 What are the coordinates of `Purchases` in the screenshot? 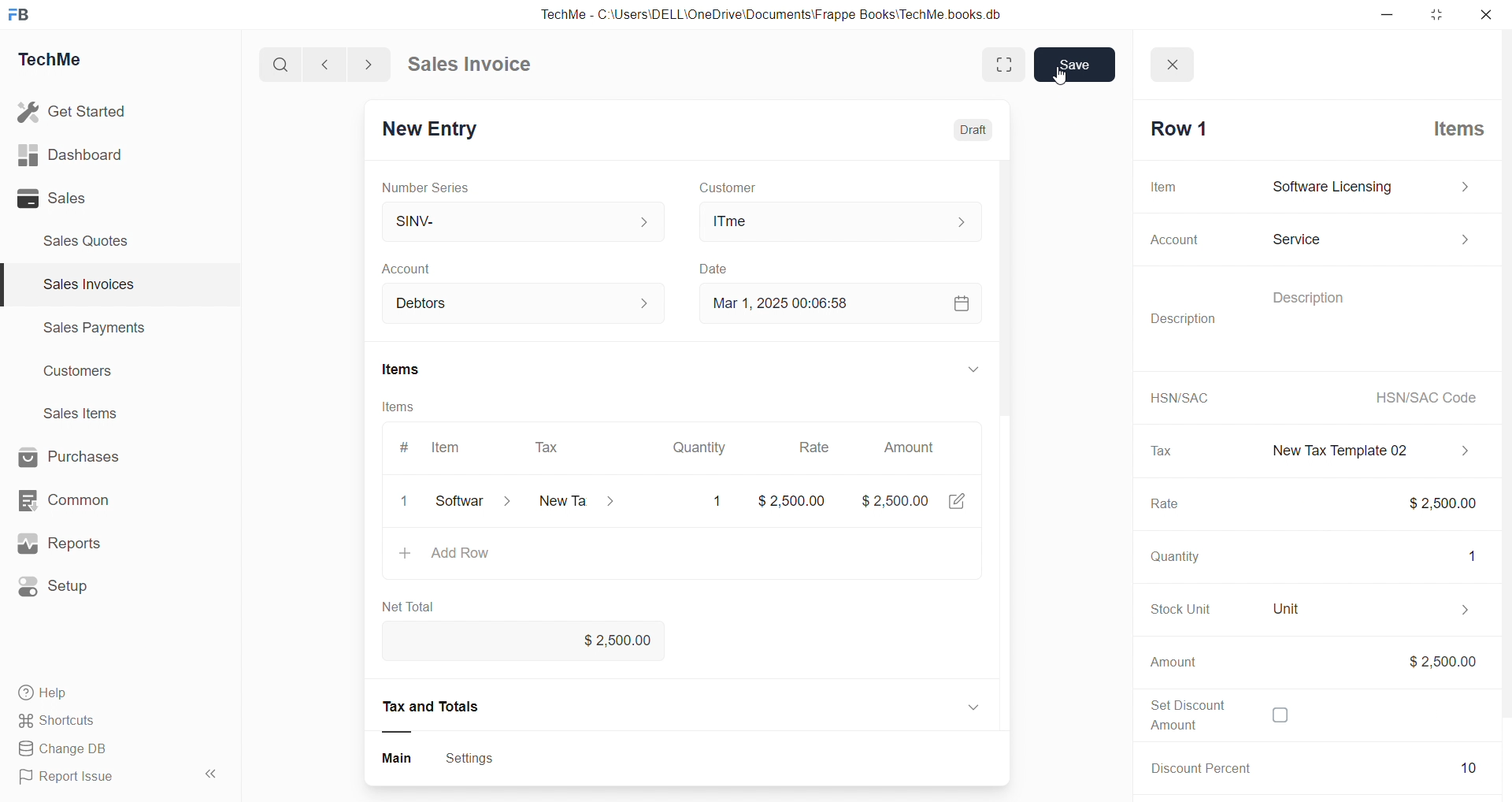 It's located at (83, 455).